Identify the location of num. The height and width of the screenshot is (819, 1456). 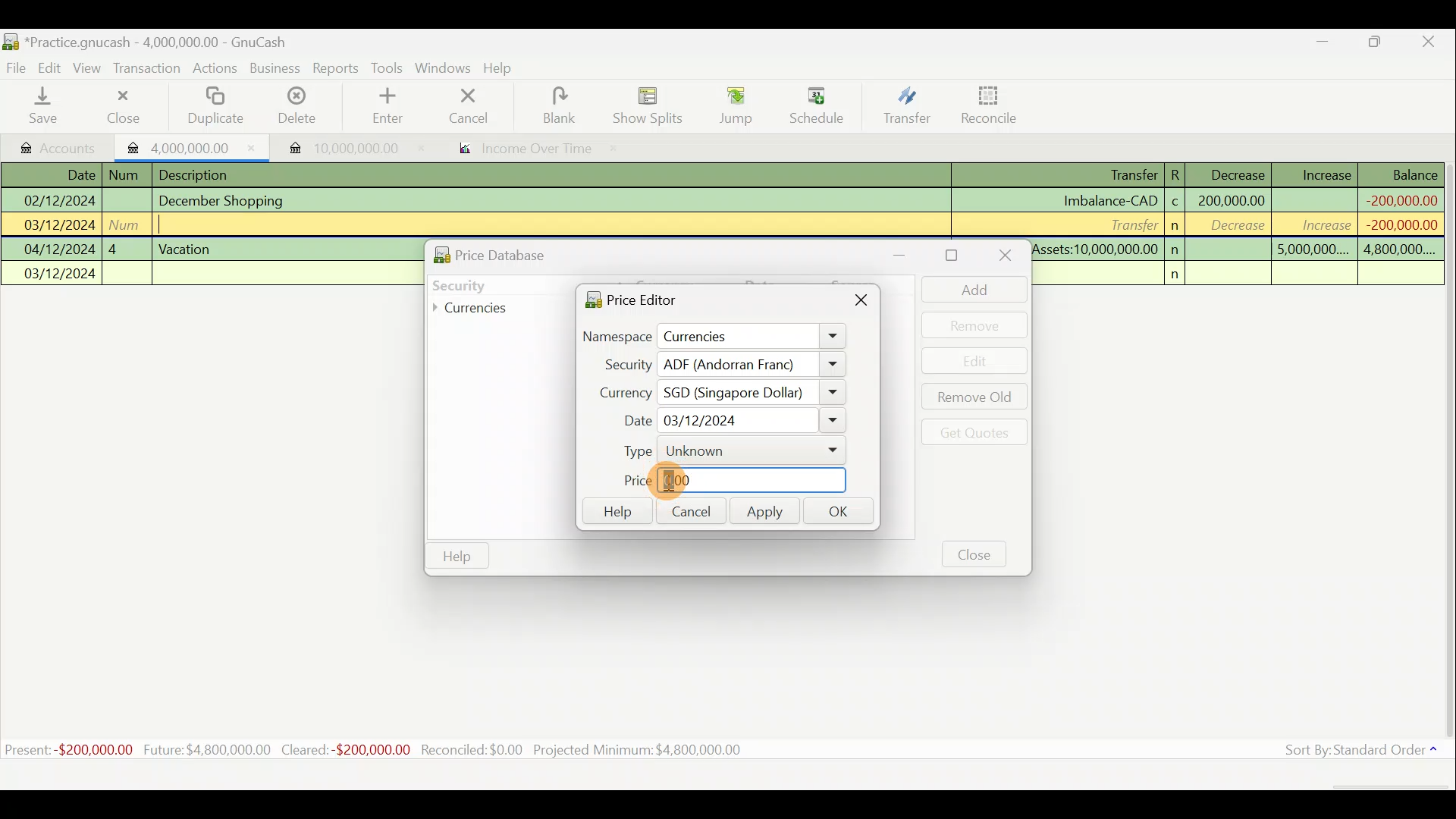
(128, 224).